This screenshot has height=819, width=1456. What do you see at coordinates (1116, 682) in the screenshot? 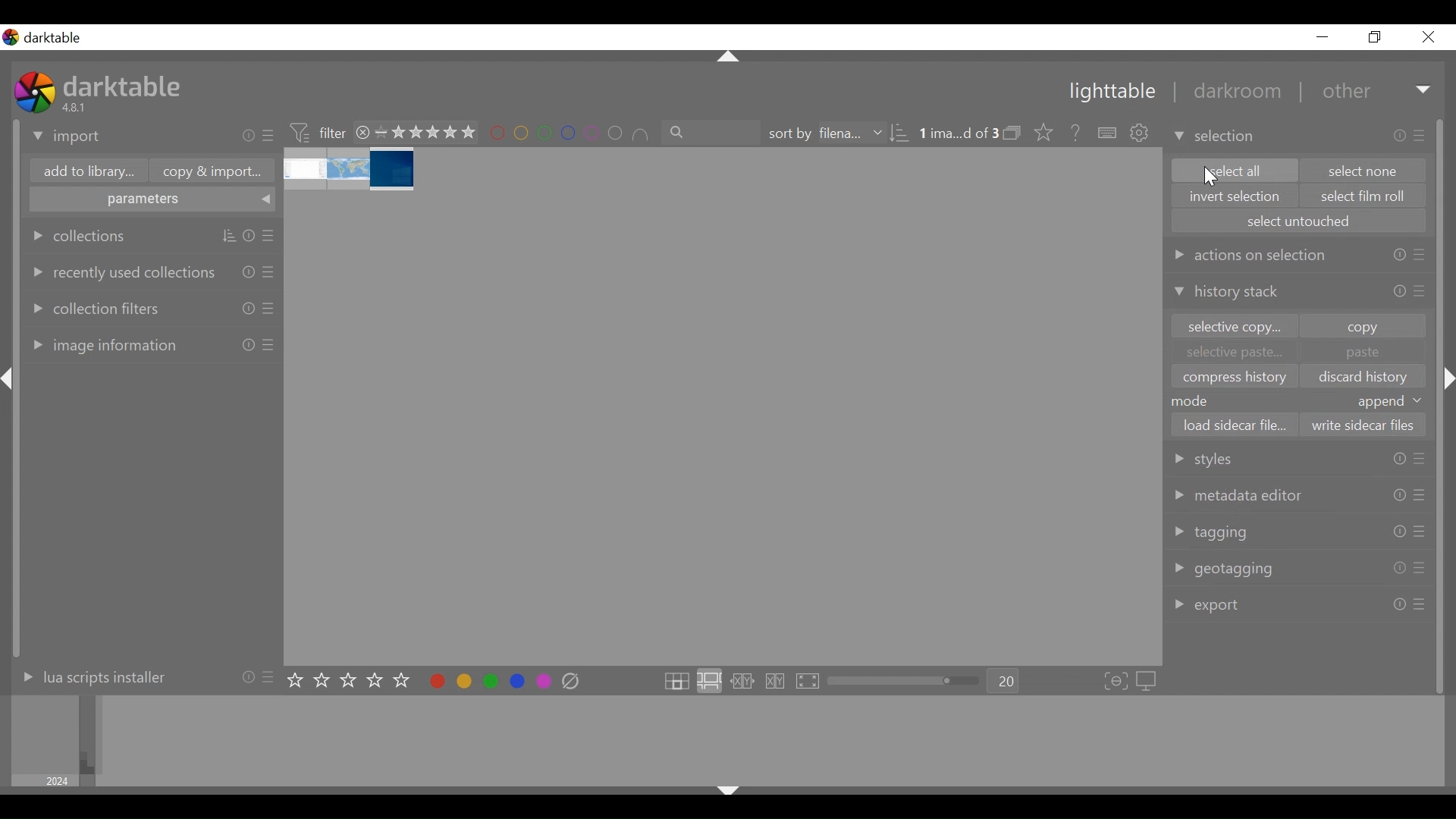
I see `toggle focus-peaking mode` at bounding box center [1116, 682].